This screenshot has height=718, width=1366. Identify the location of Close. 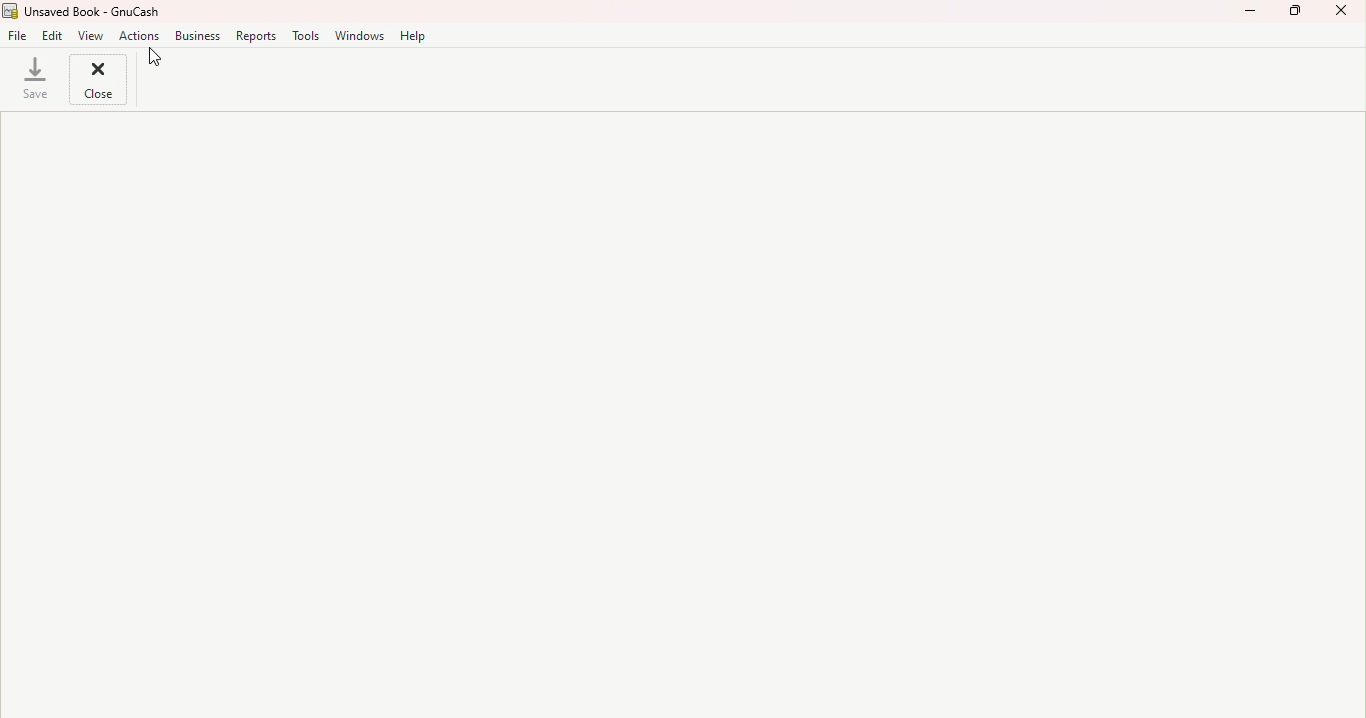
(105, 82).